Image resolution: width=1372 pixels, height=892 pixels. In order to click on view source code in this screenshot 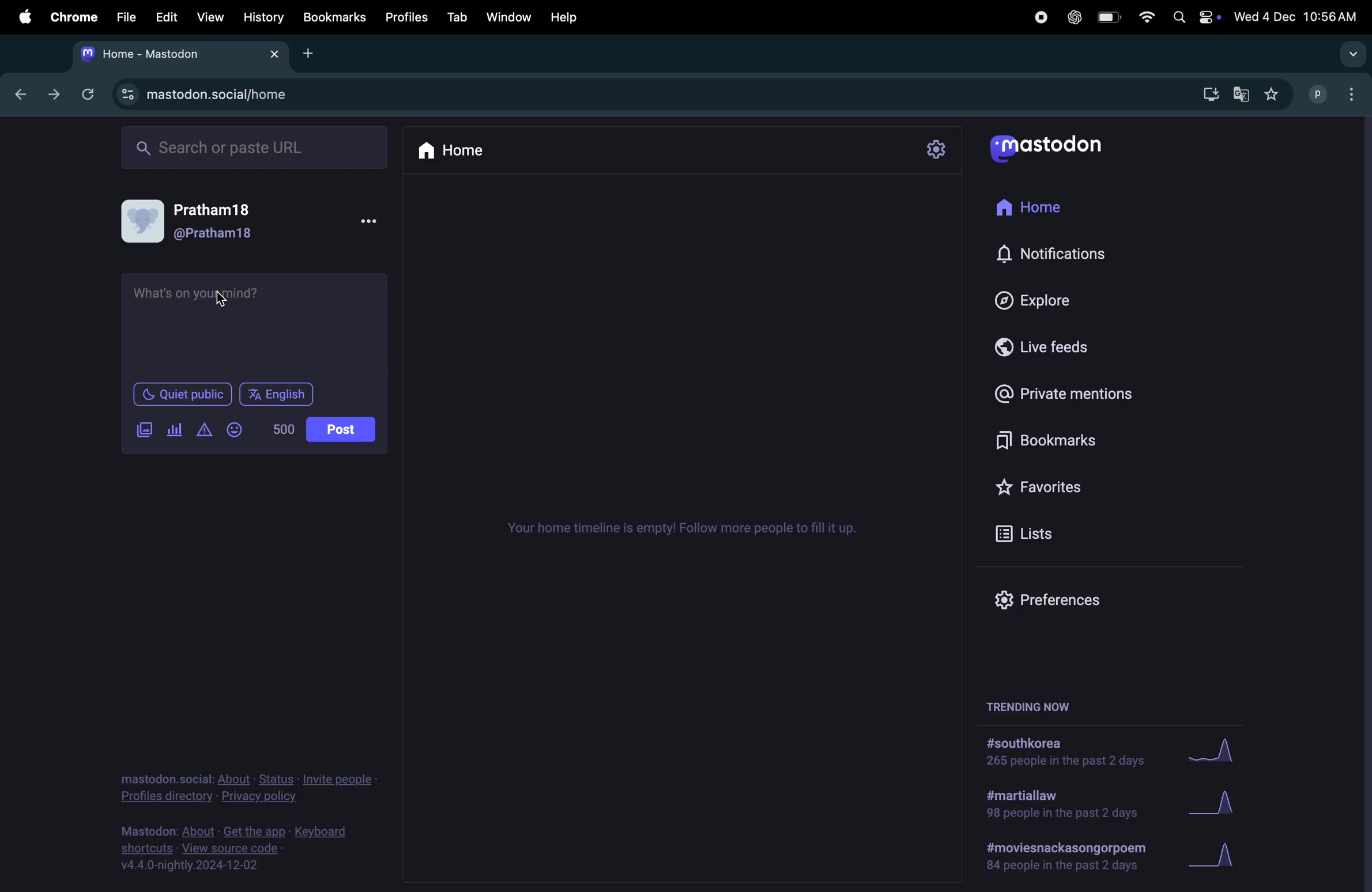, I will do `click(248, 851)`.